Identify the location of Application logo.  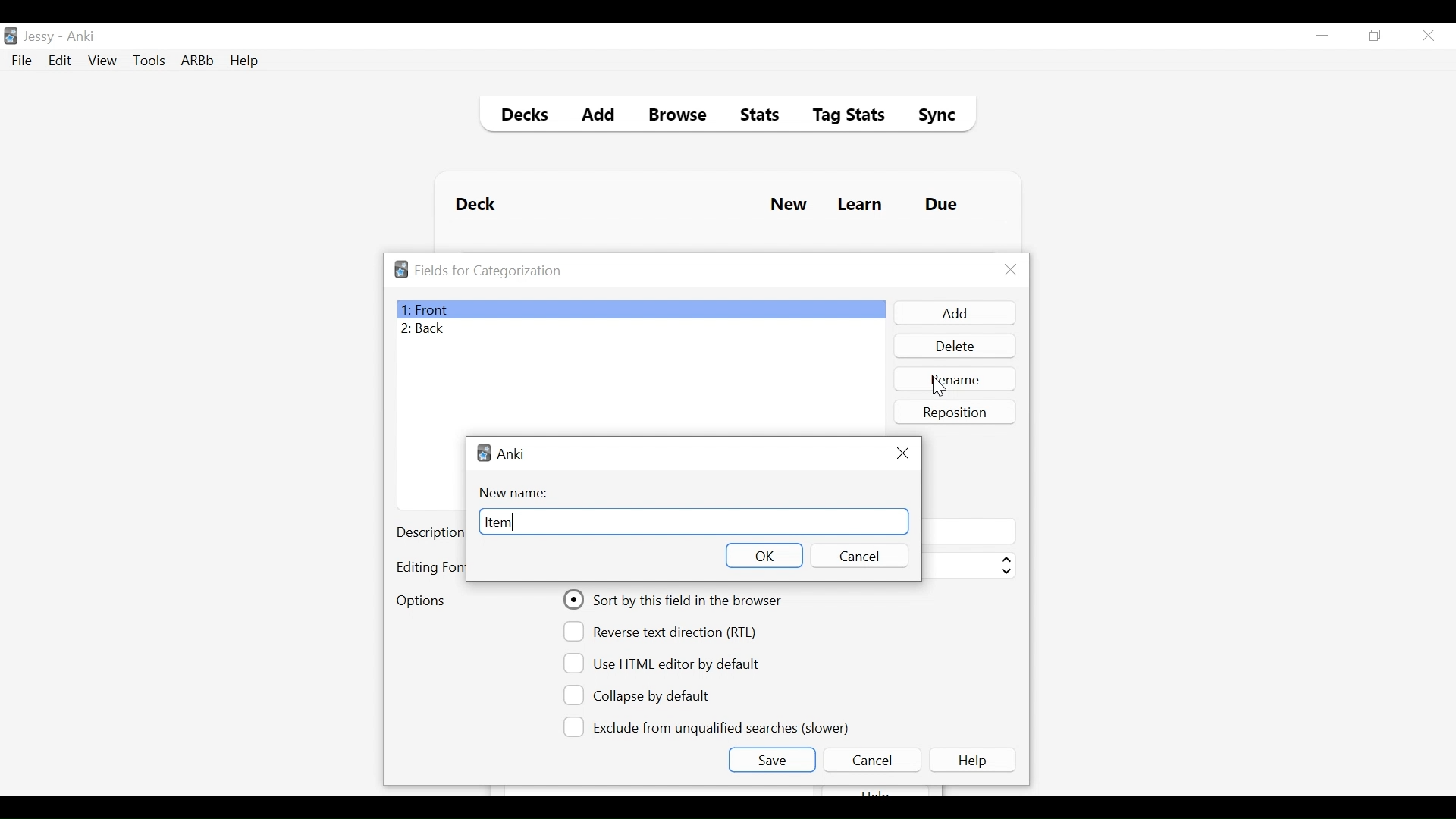
(401, 269).